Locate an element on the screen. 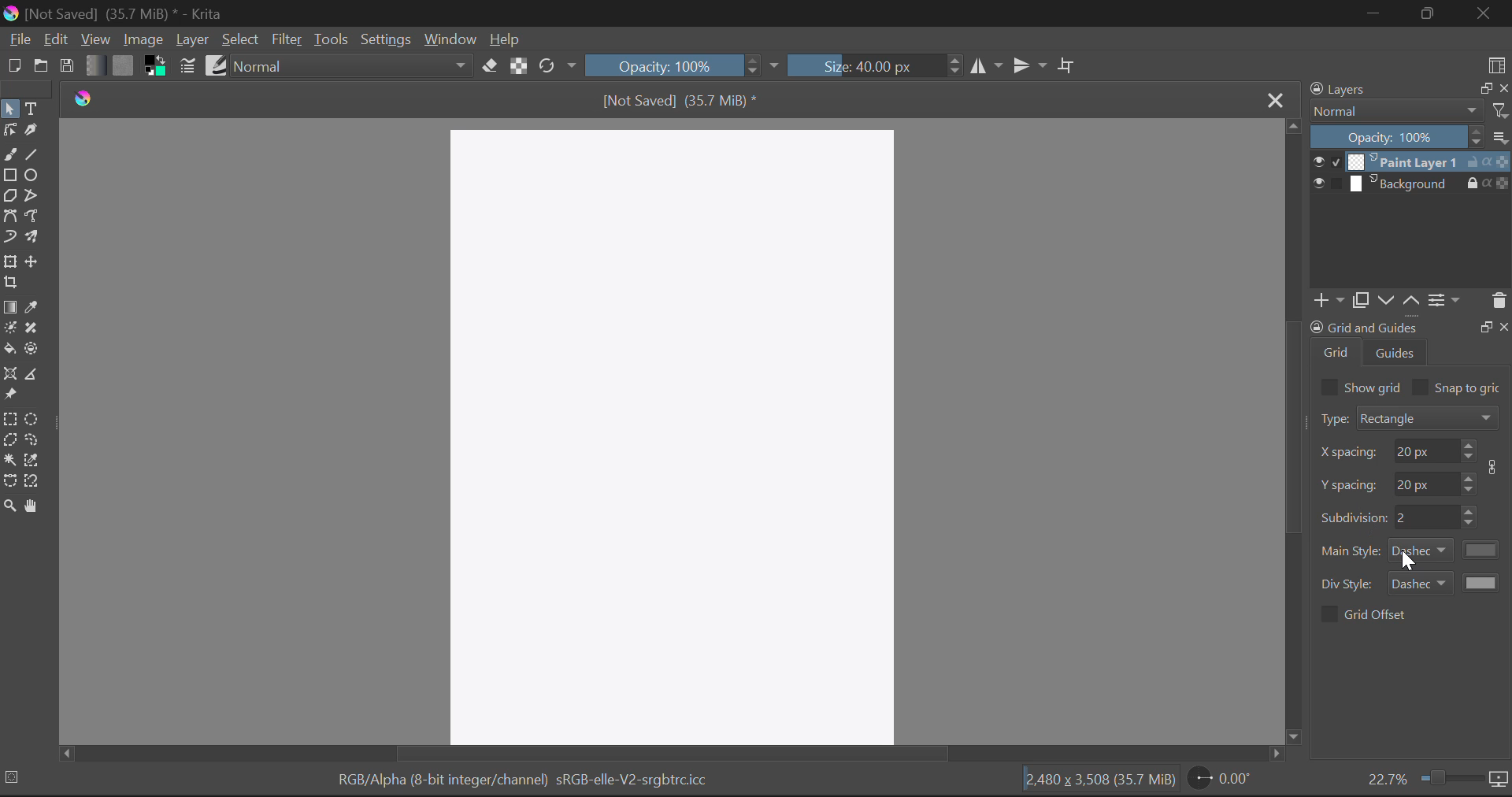  spacing x is located at coordinates (1350, 453).